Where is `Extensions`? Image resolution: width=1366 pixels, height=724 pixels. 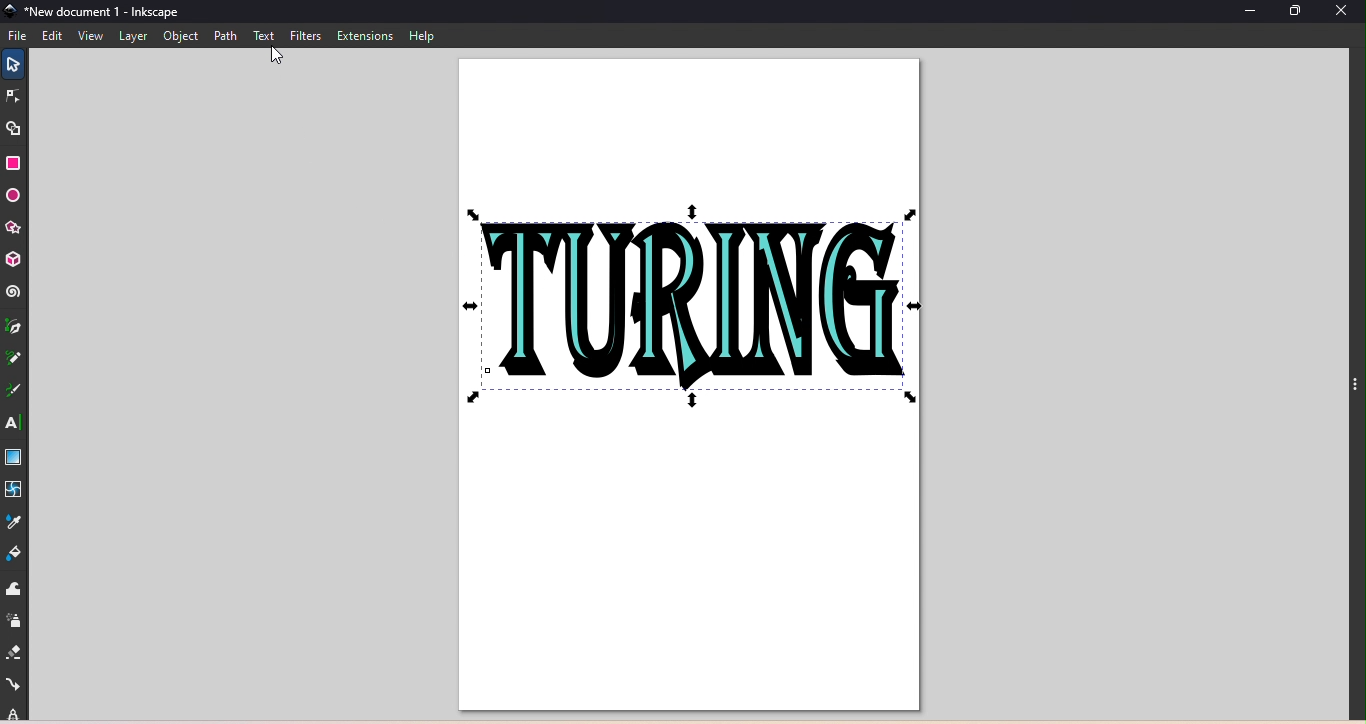 Extensions is located at coordinates (363, 35).